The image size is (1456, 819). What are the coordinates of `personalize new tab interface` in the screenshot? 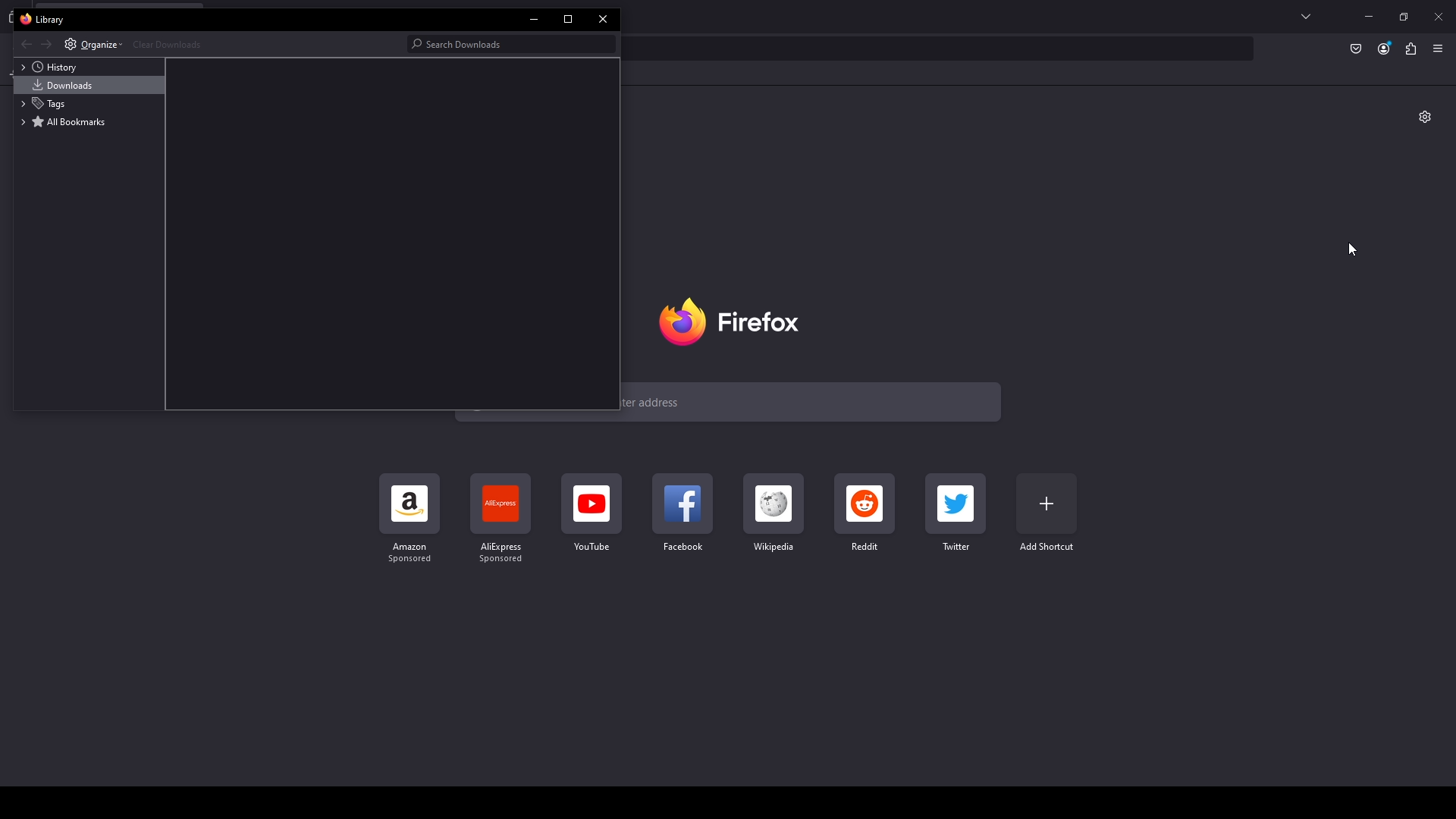 It's located at (1426, 117).